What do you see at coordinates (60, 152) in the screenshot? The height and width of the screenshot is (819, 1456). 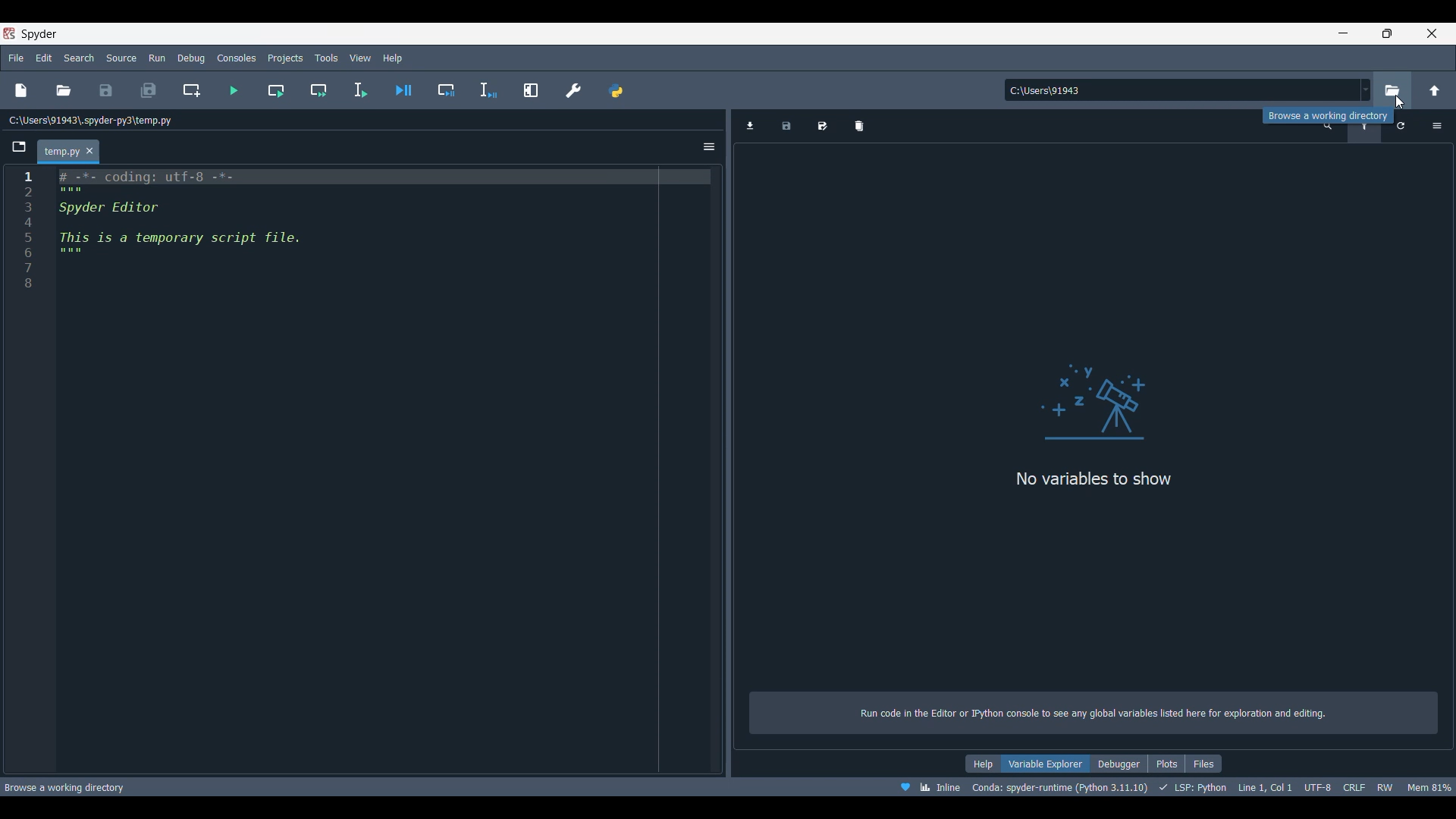 I see `Current tab` at bounding box center [60, 152].